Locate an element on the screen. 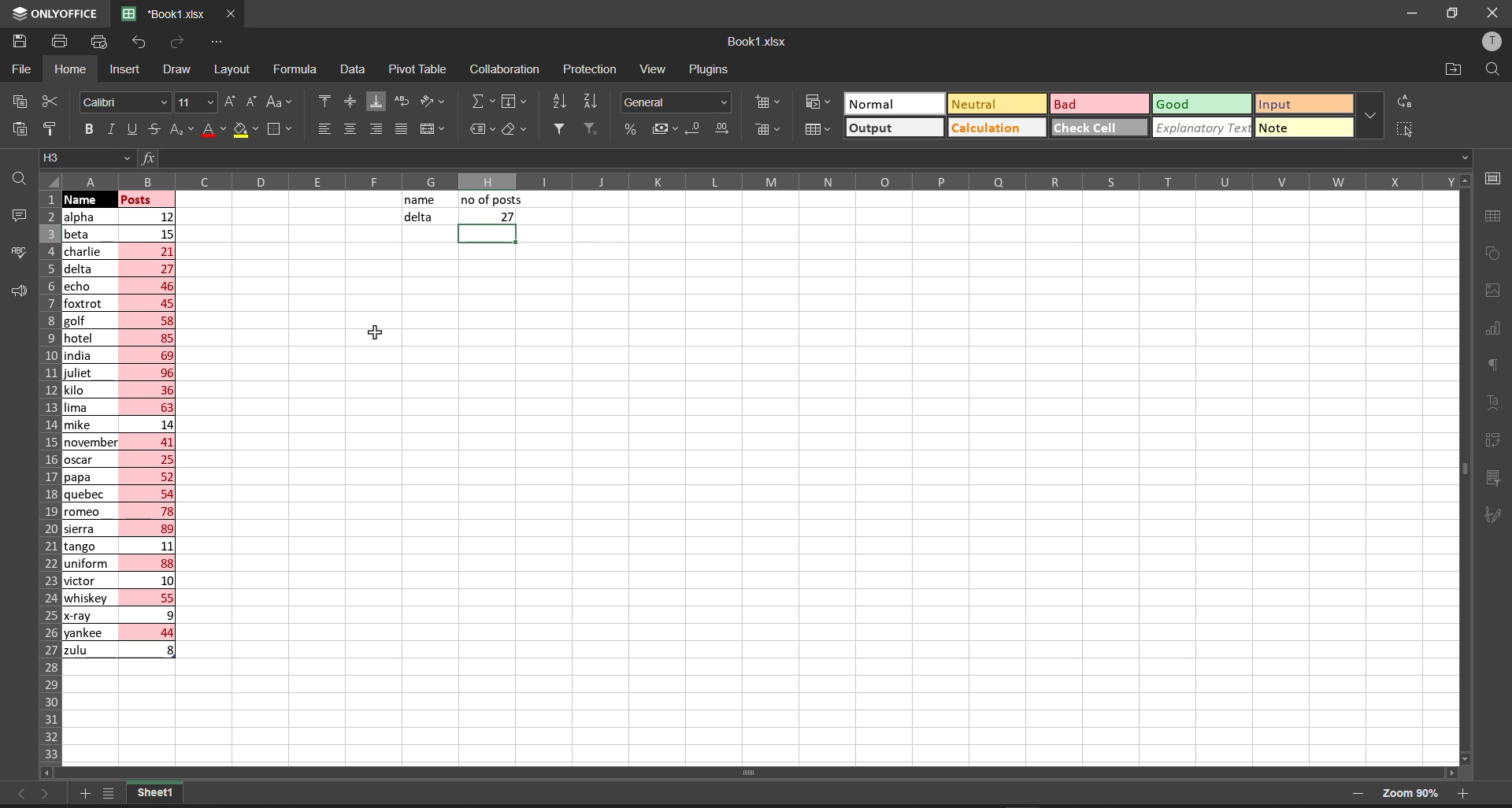 This screenshot has width=1512, height=808. align bottom is located at coordinates (376, 101).